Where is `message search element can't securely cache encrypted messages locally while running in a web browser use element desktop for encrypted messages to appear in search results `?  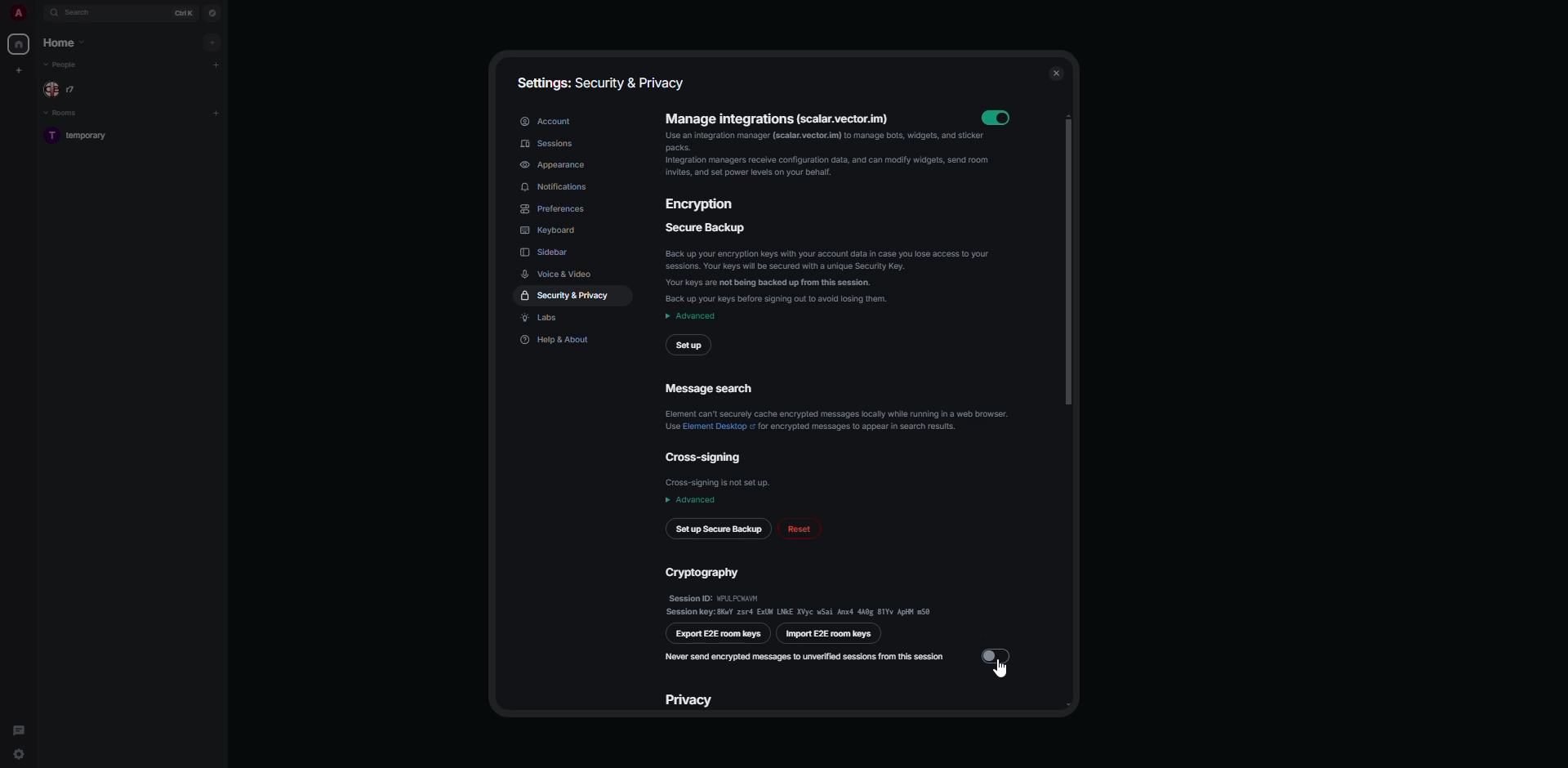
message search element can't securely cache encrypted messages locally while running in a web browser use element desktop for encrypted messages to appear in search results  is located at coordinates (835, 404).